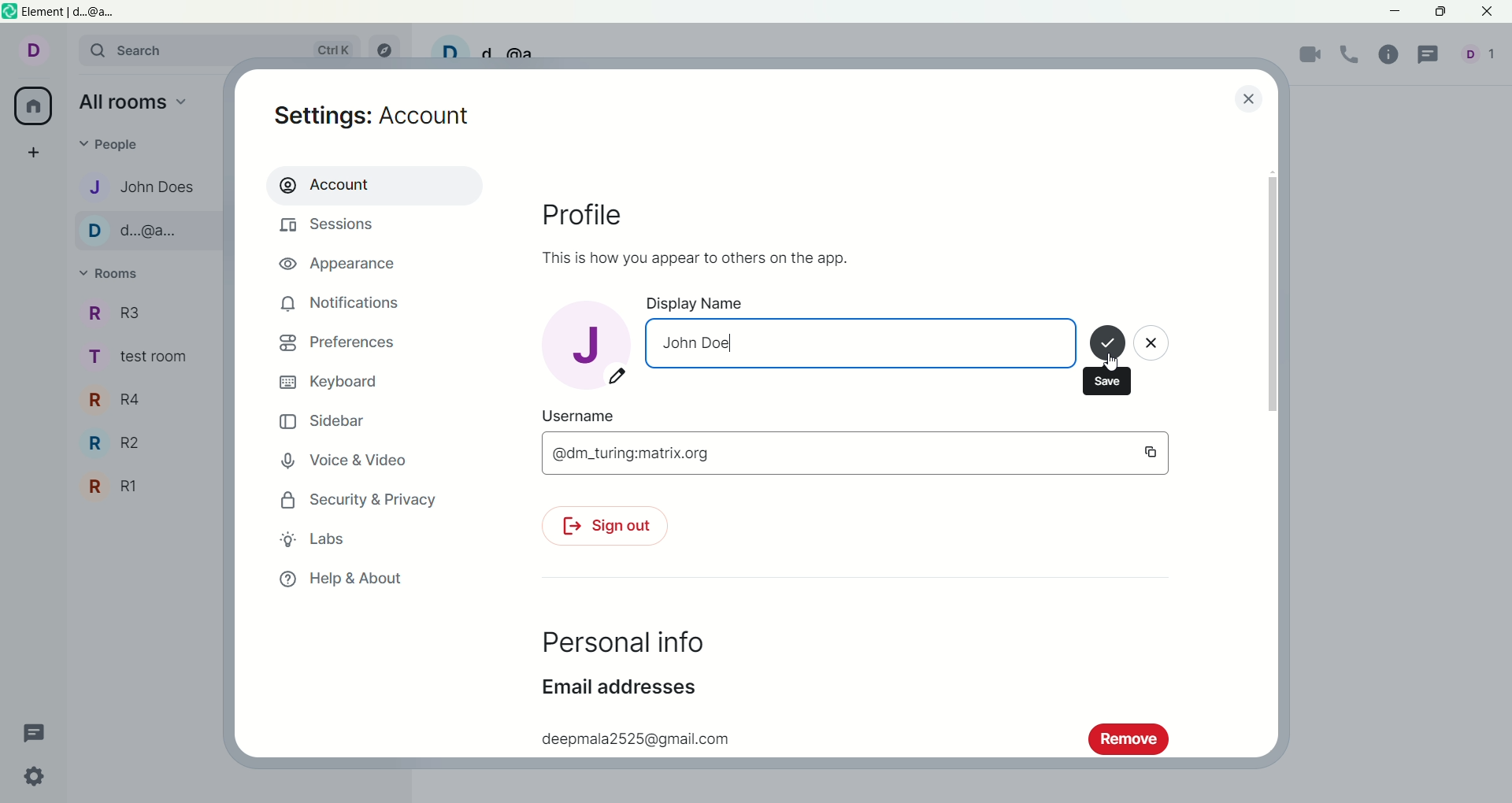  I want to click on create a space, so click(39, 154).